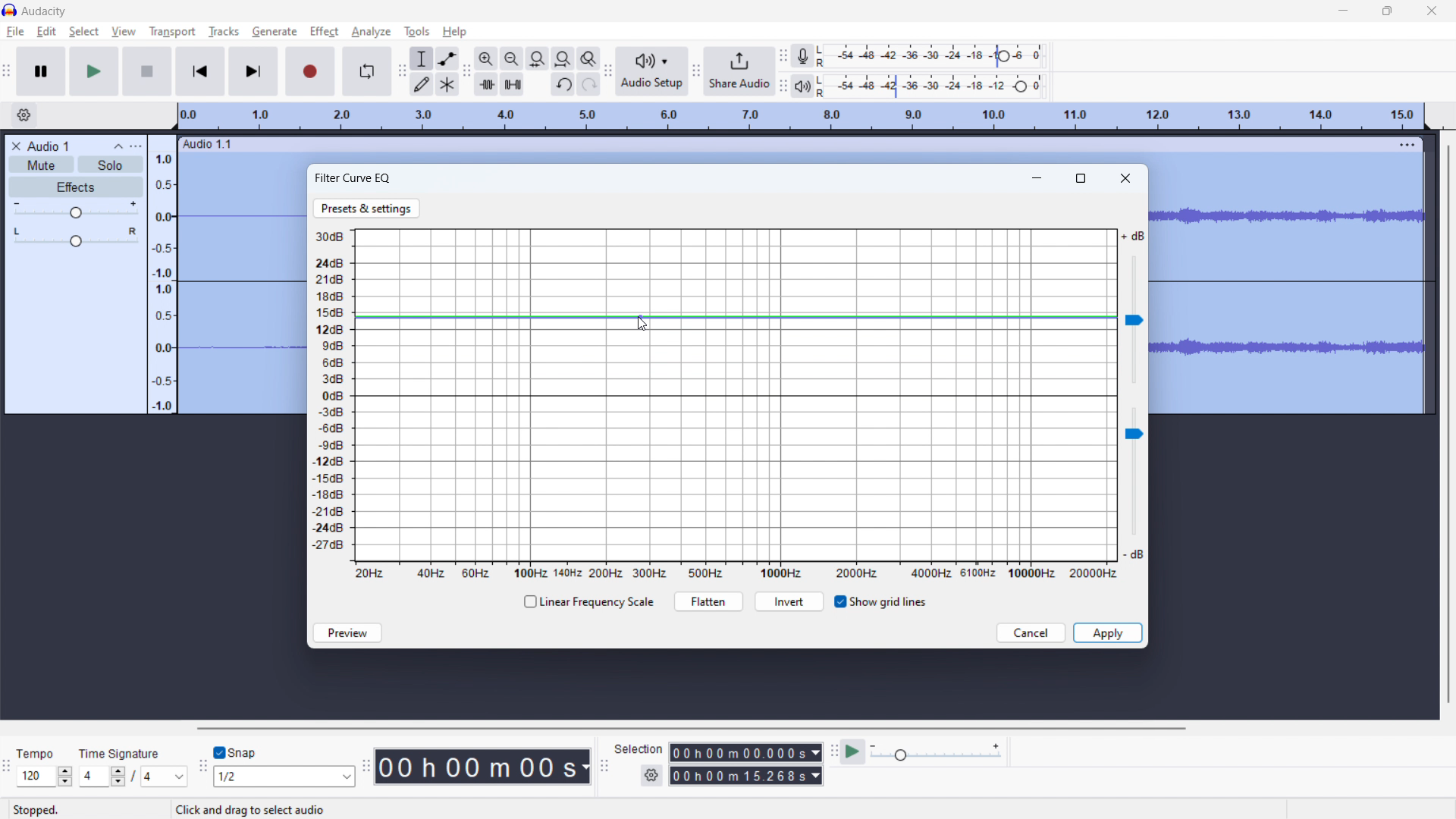 The width and height of the screenshot is (1456, 819). I want to click on invert, so click(789, 602).